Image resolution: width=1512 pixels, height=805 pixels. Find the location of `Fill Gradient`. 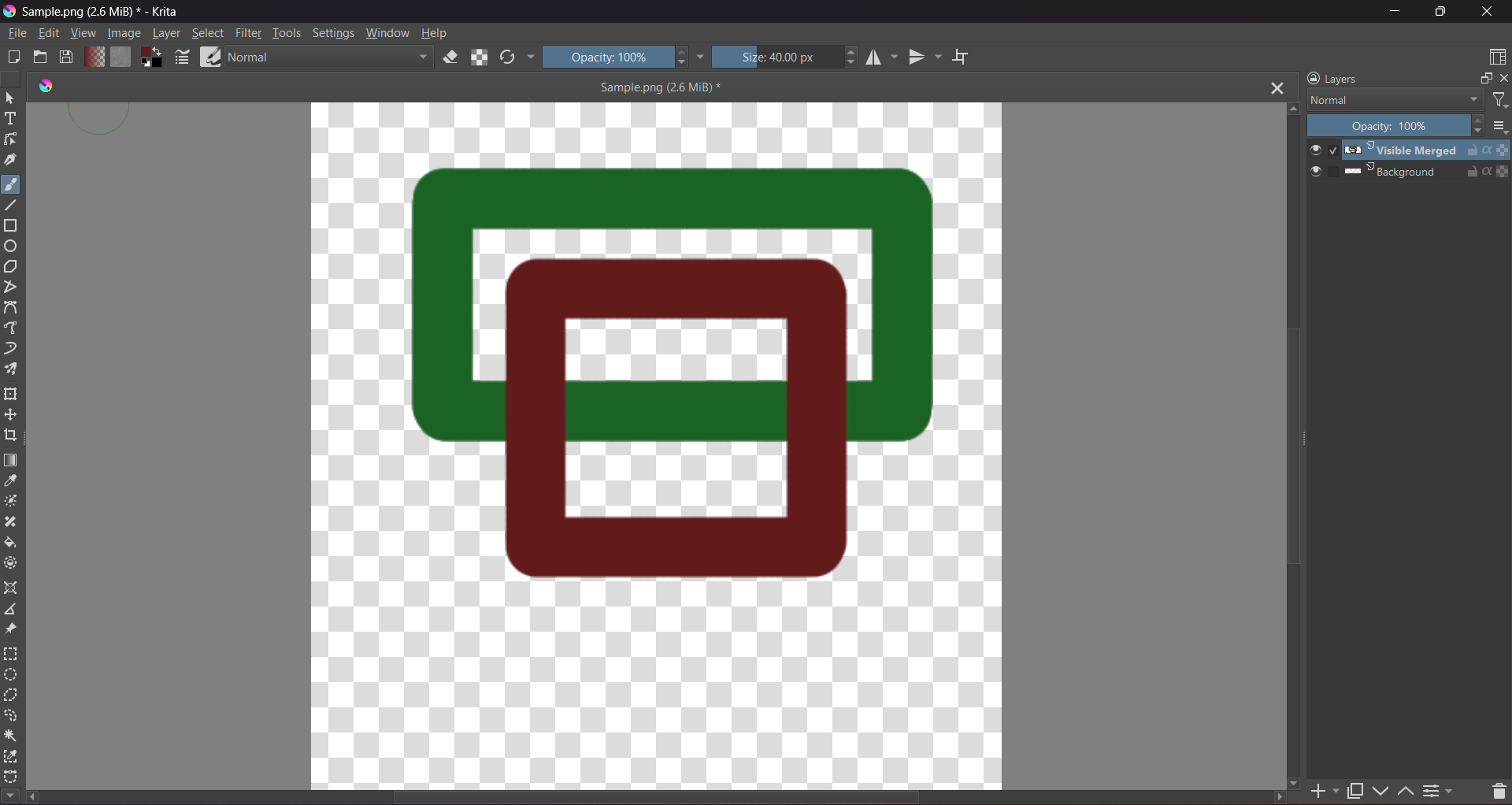

Fill Gradient is located at coordinates (92, 56).